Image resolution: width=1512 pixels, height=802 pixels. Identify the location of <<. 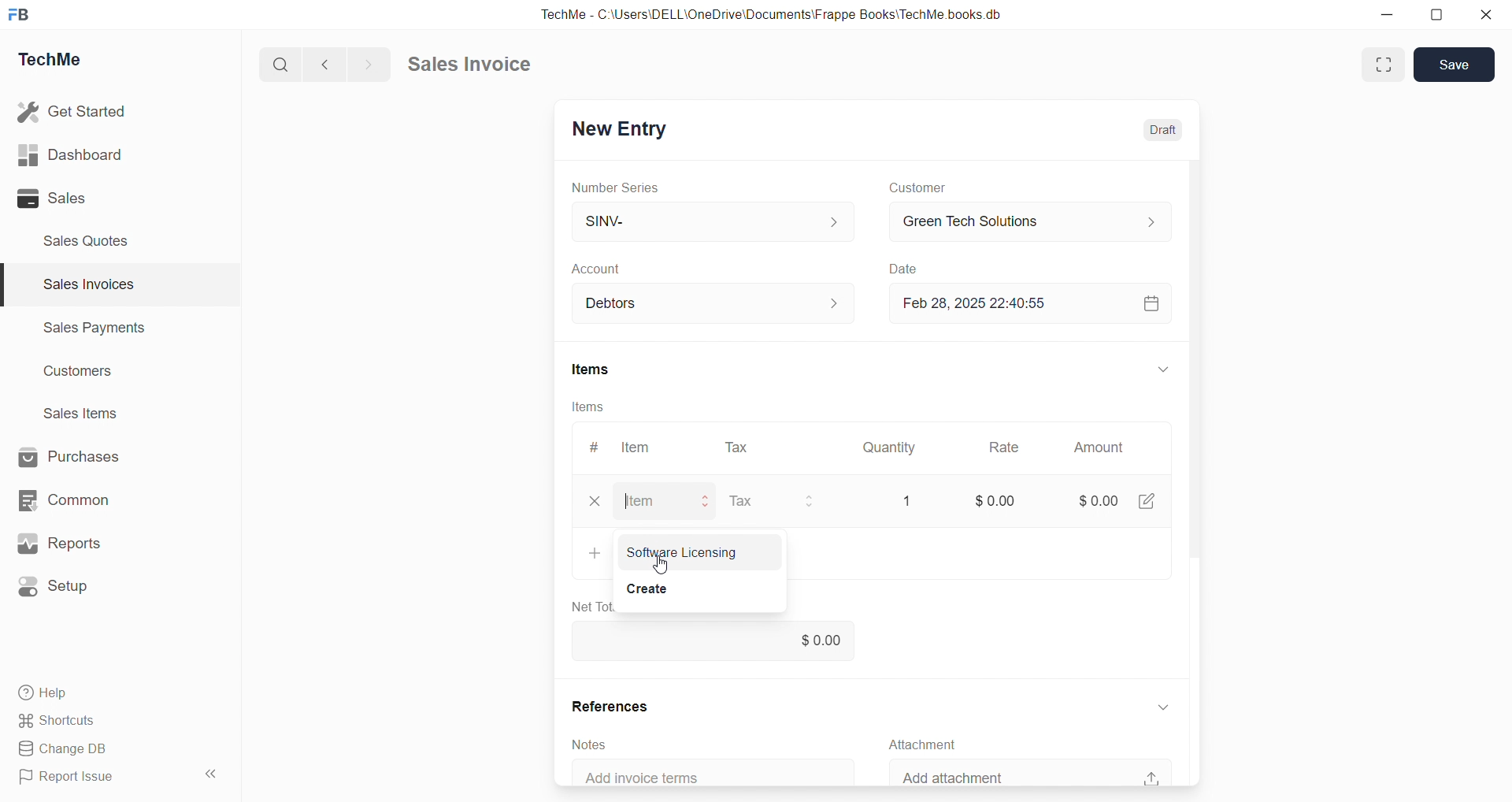
(209, 774).